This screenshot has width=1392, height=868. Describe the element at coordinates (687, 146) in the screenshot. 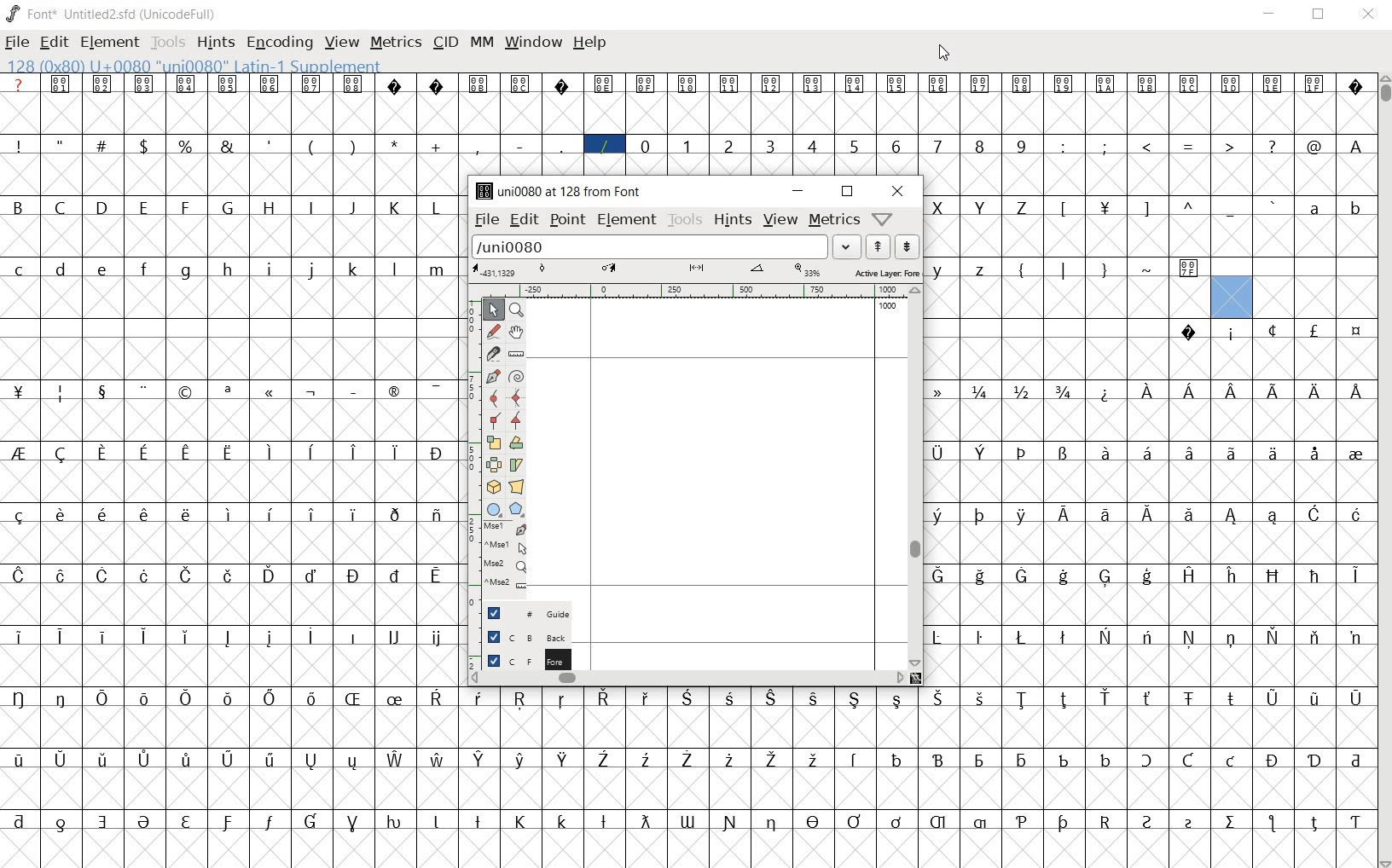

I see `glyph` at that location.